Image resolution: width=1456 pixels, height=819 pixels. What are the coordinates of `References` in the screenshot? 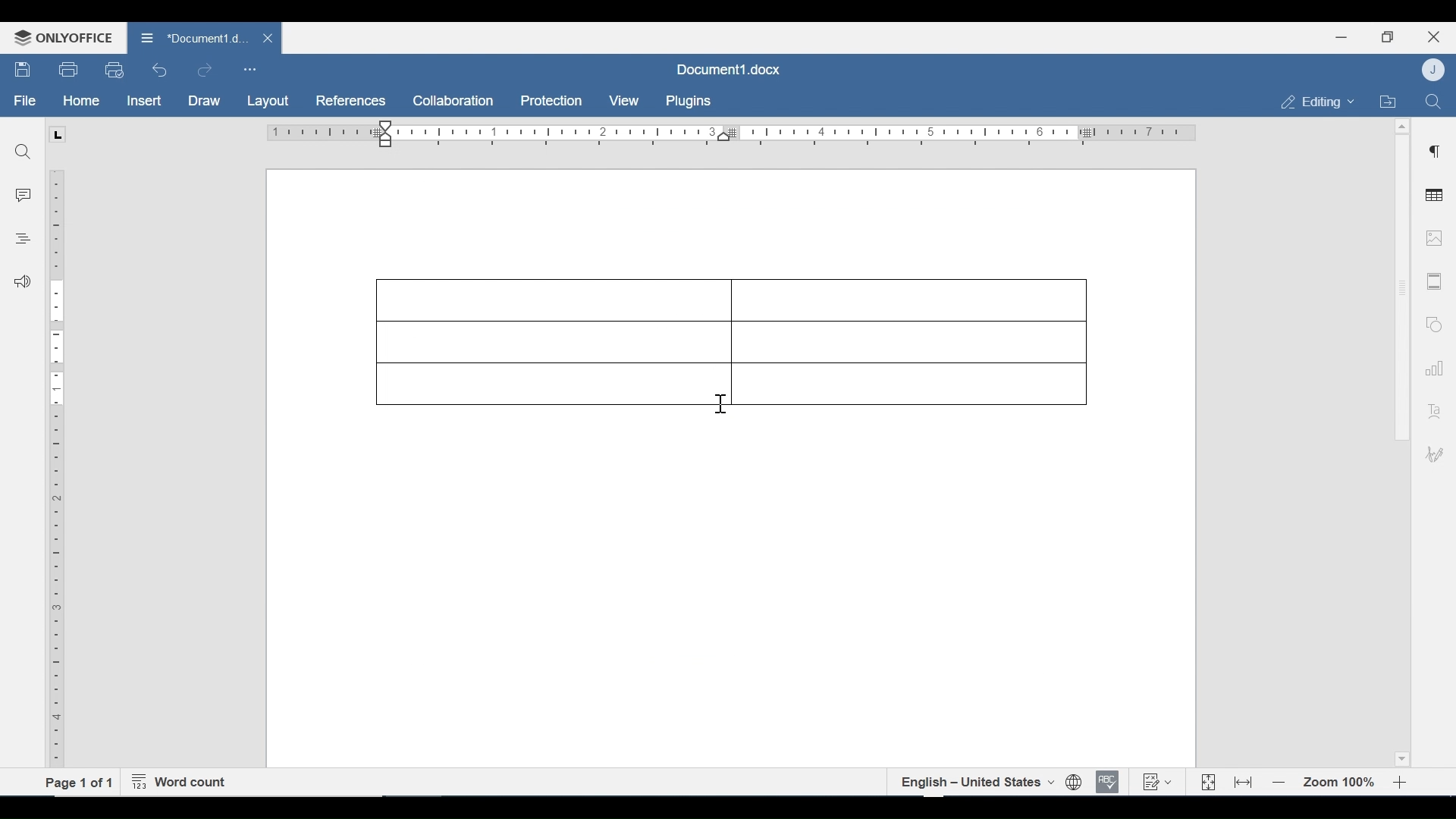 It's located at (349, 101).